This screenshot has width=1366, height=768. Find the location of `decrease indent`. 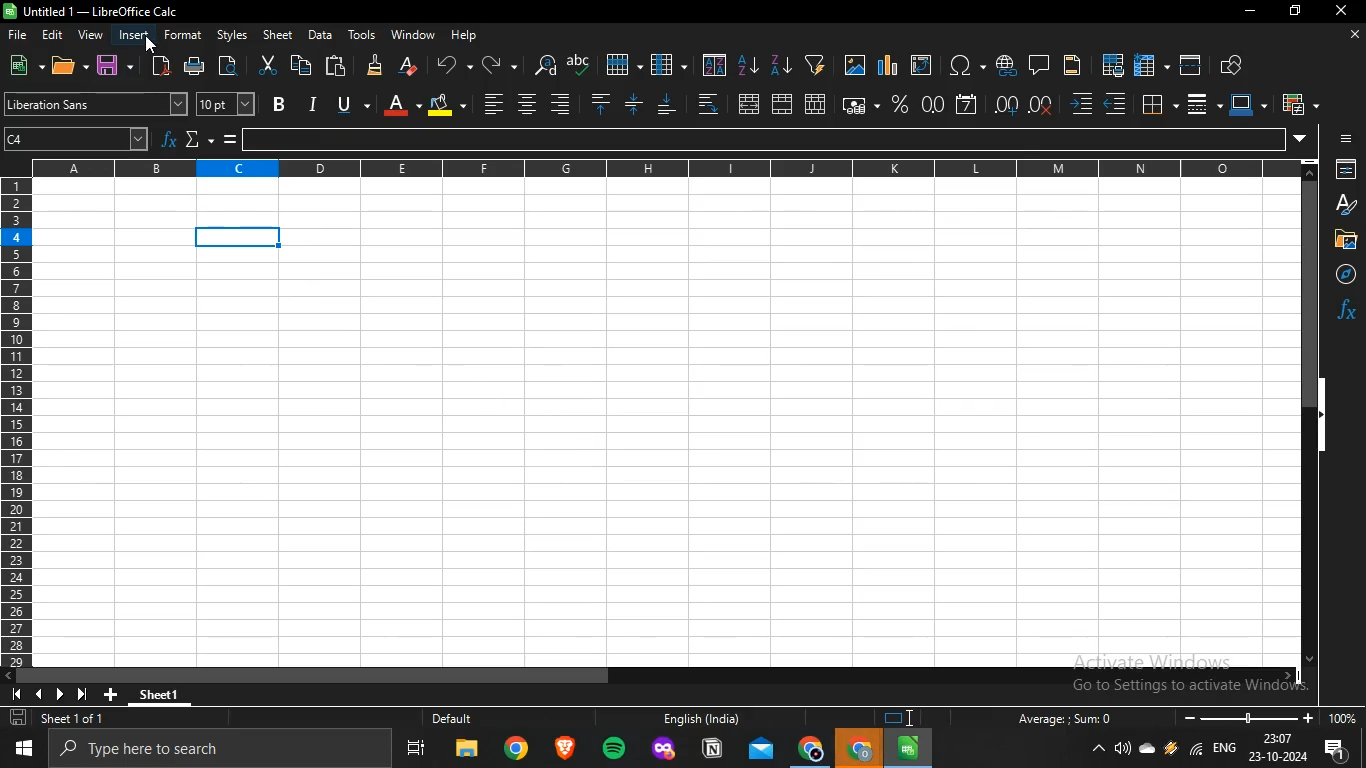

decrease indent is located at coordinates (1115, 104).